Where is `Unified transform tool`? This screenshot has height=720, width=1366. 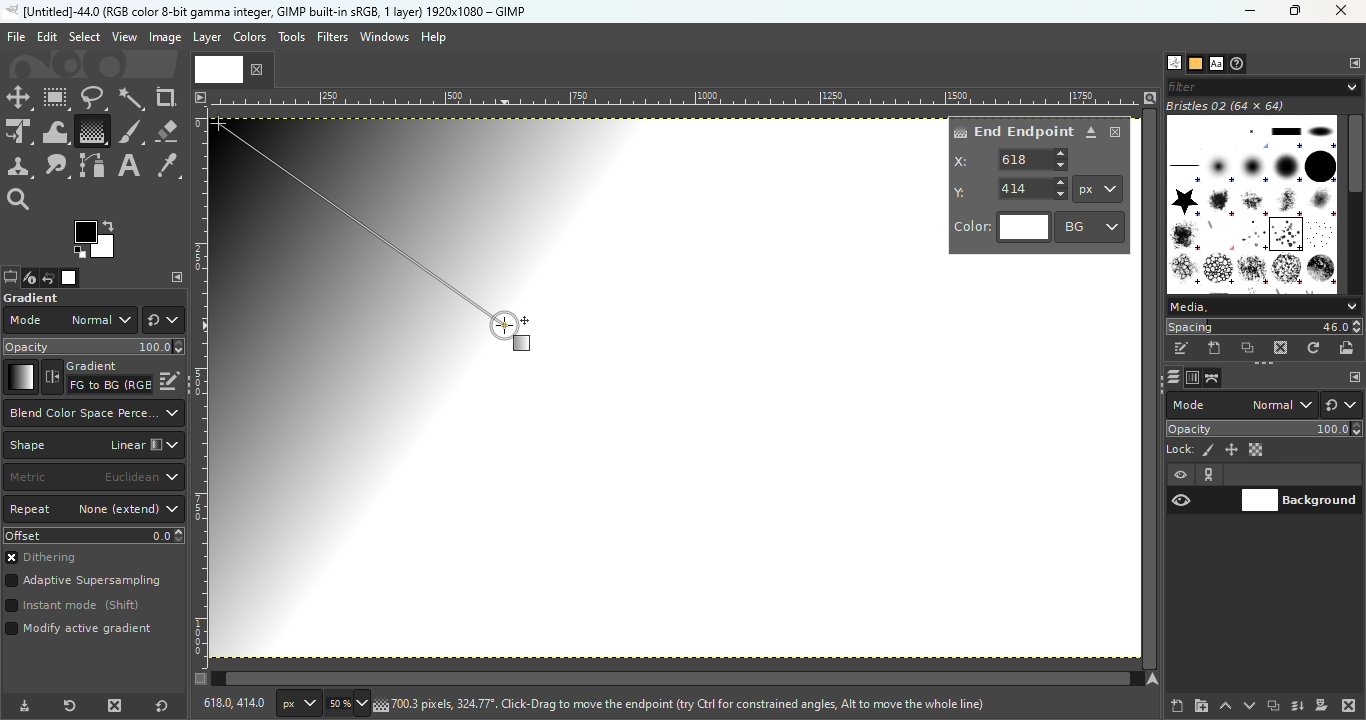 Unified transform tool is located at coordinates (18, 133).